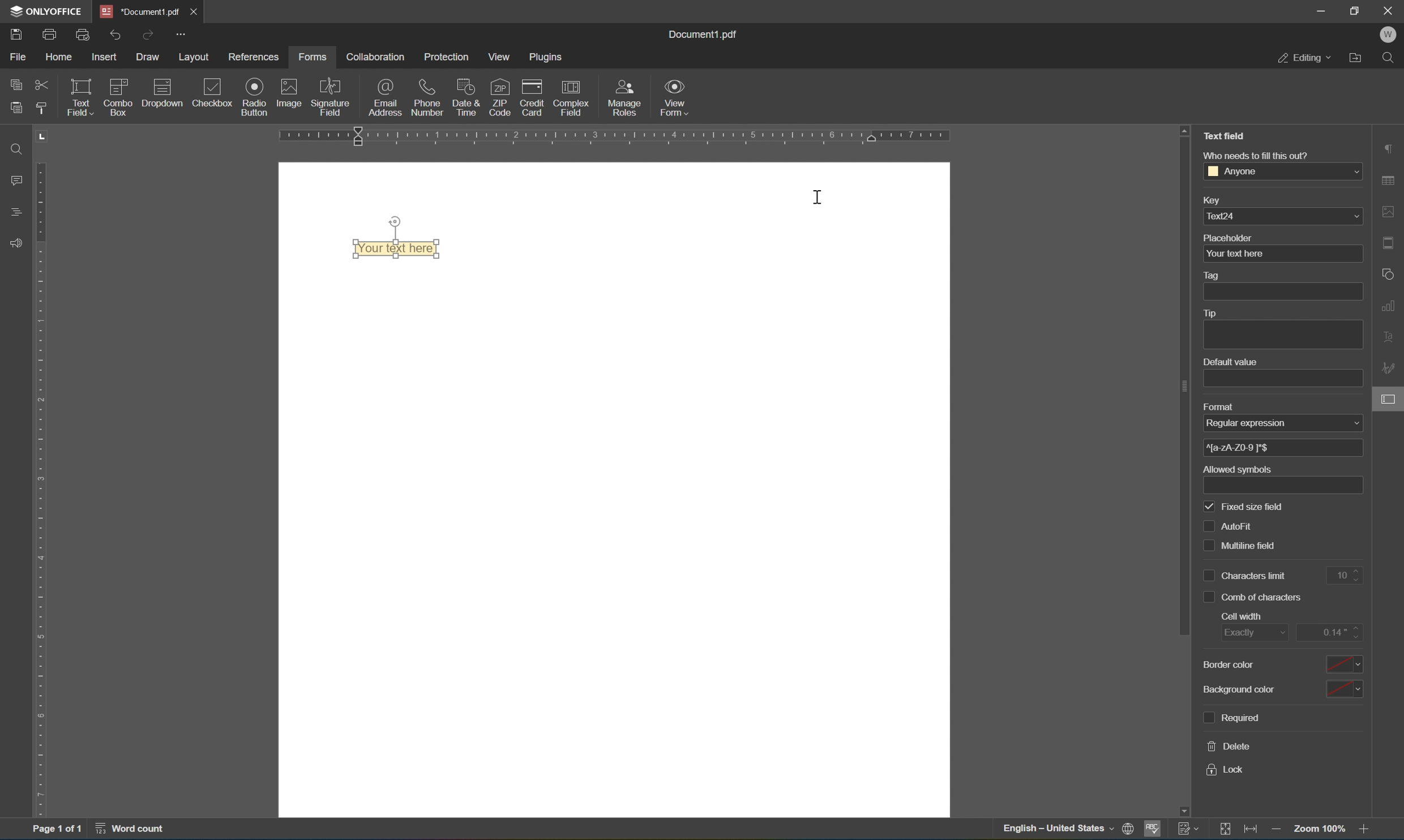 The image size is (1404, 840). Describe the element at coordinates (1391, 368) in the screenshot. I see `signature settings` at that location.